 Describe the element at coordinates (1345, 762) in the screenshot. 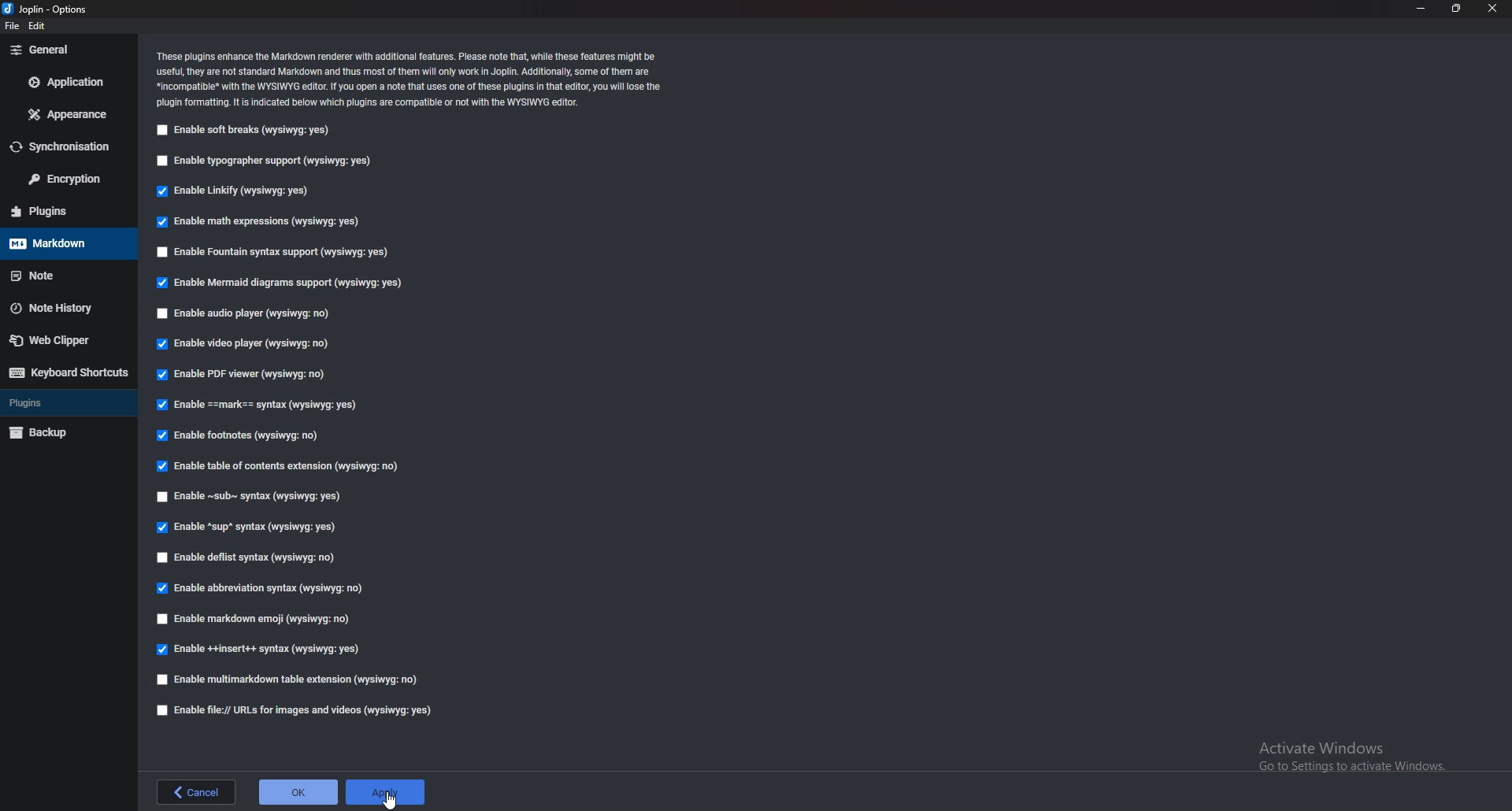

I see `activate windows pop up` at that location.